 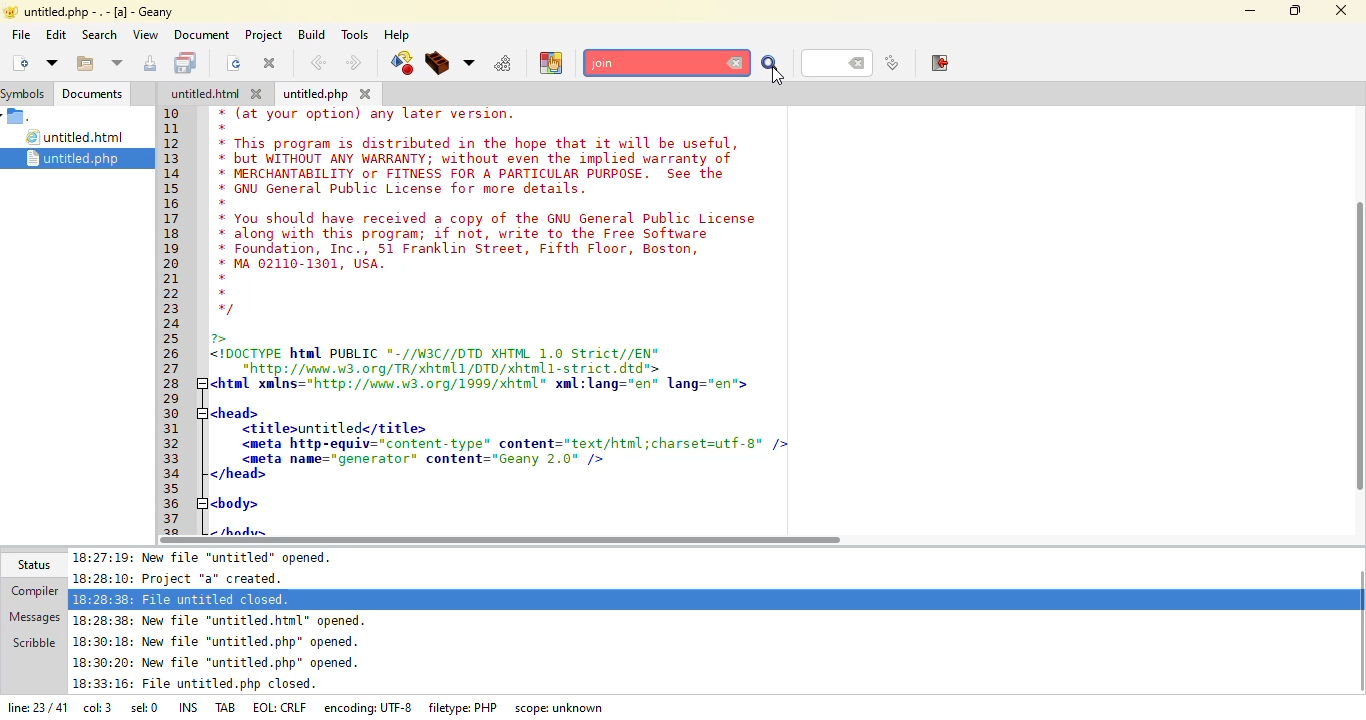 What do you see at coordinates (354, 34) in the screenshot?
I see `tools` at bounding box center [354, 34].